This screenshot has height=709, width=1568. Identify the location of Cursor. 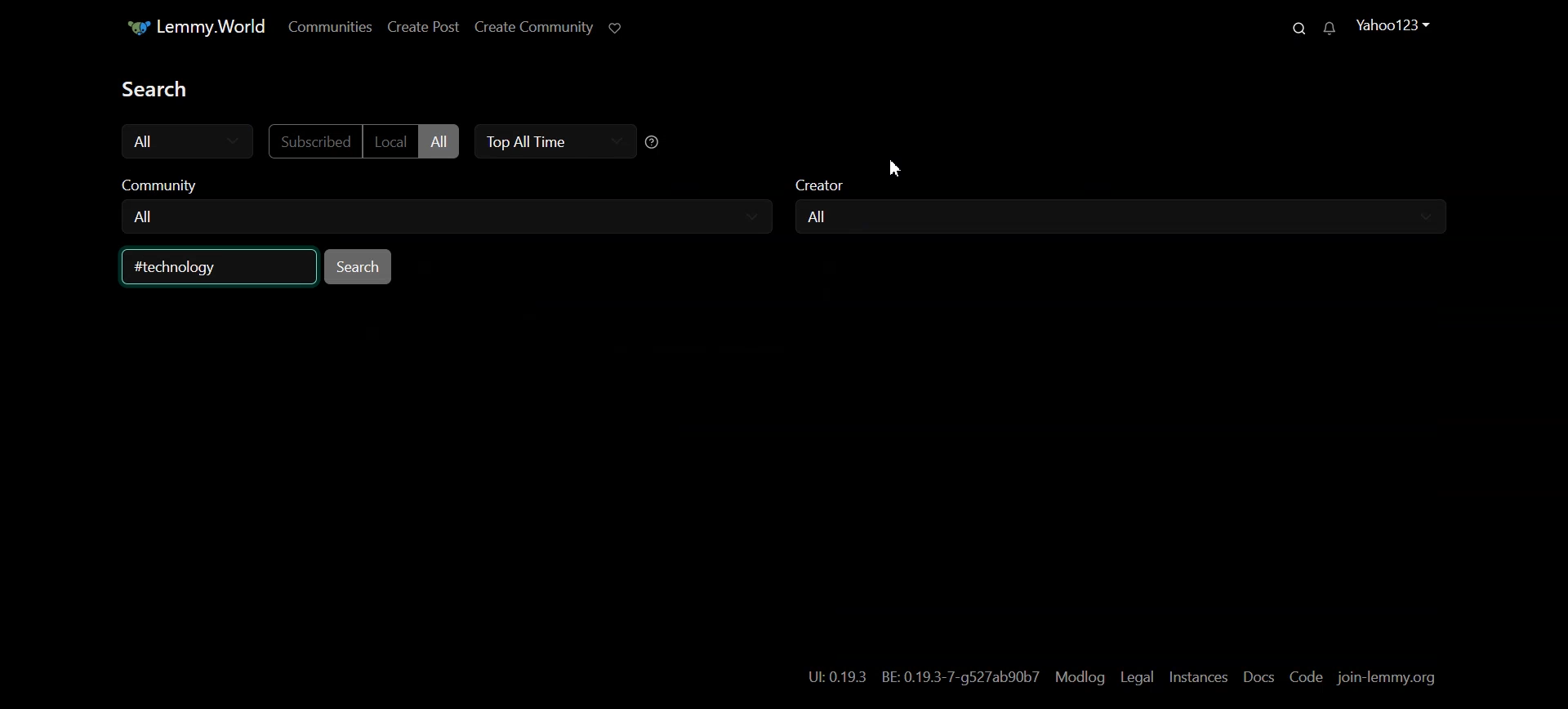
(895, 167).